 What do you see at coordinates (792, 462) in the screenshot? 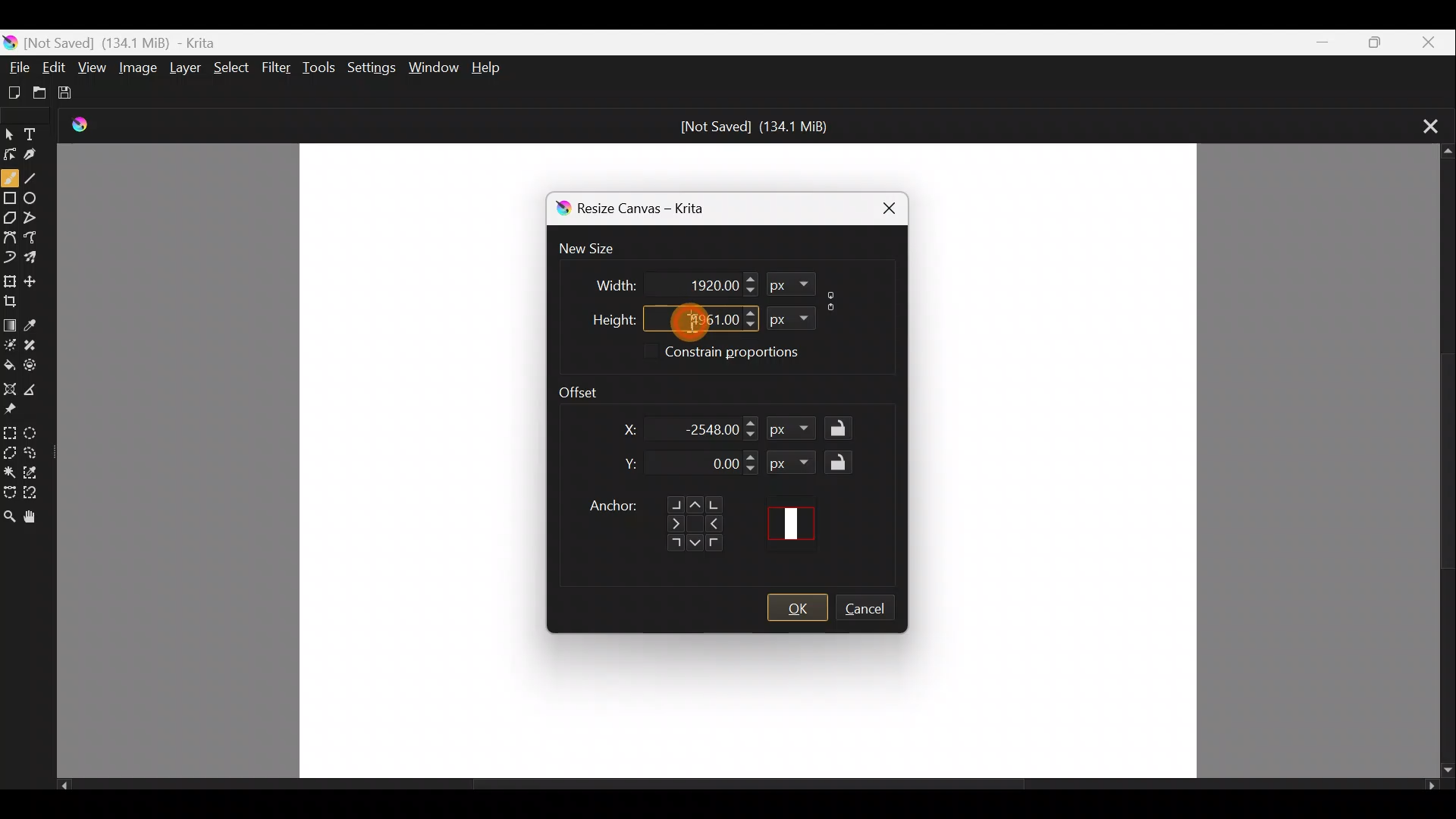
I see `Format` at bounding box center [792, 462].